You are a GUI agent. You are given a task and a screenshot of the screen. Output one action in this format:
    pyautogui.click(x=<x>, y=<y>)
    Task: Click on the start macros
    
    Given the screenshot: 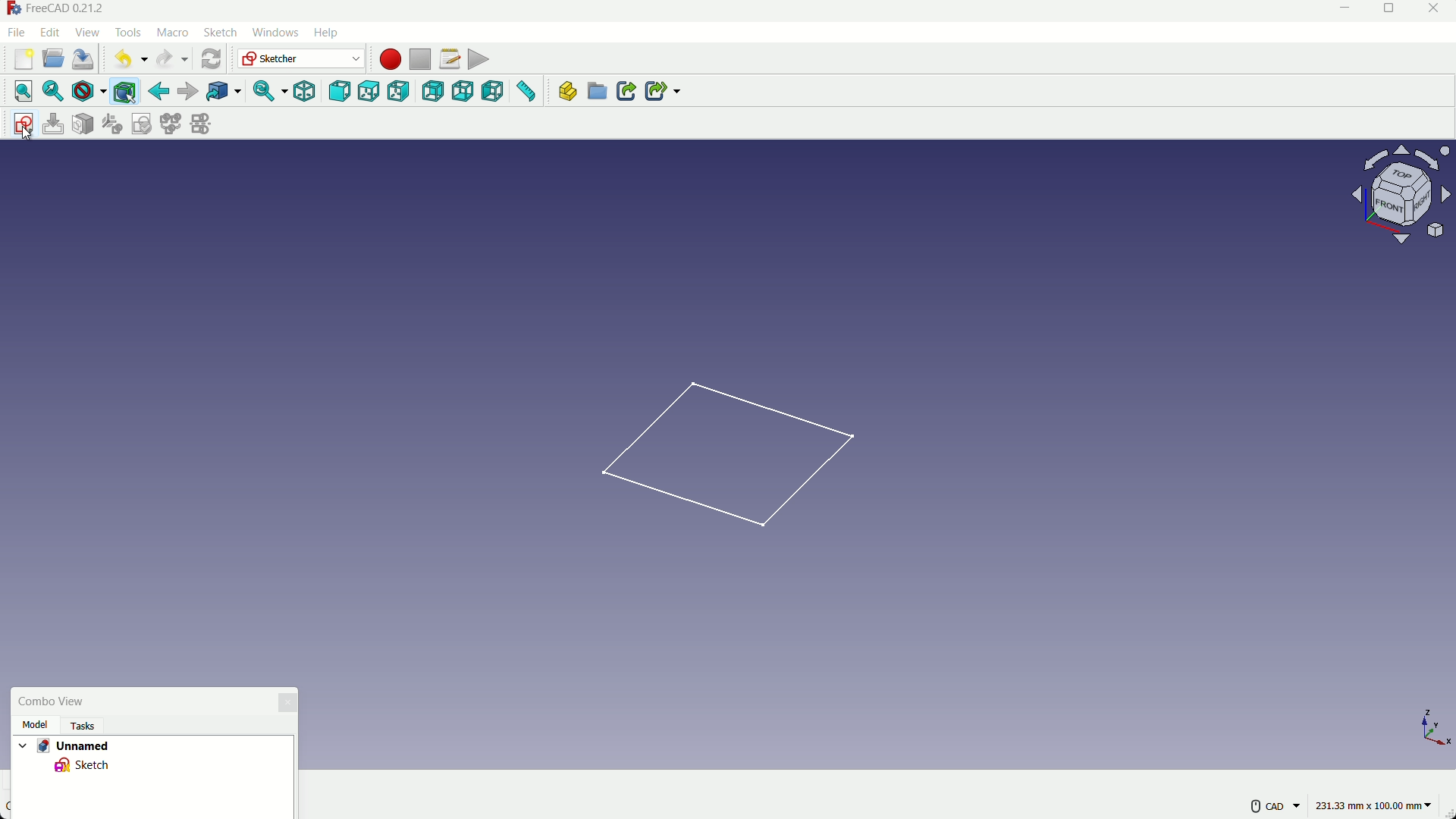 What is the action you would take?
    pyautogui.click(x=389, y=59)
    